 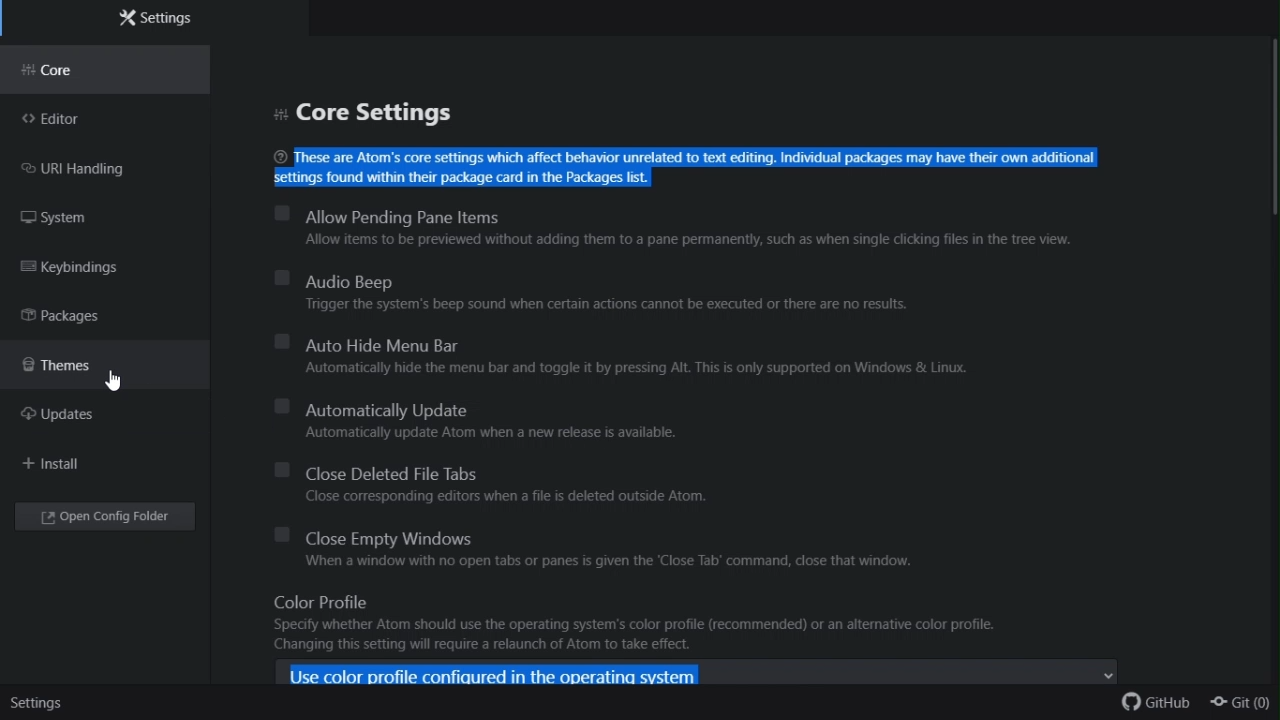 I want to click on Close deleted file tabs, so click(x=512, y=487).